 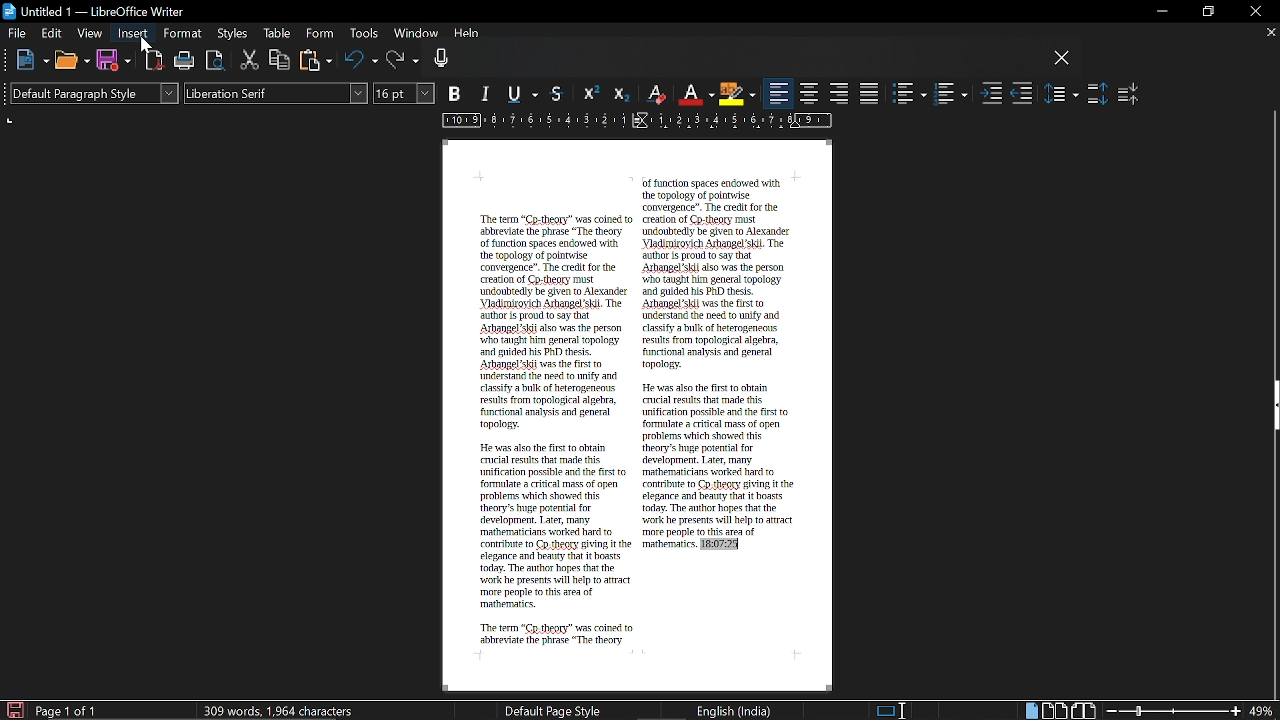 I want to click on page 1 of 1, so click(x=70, y=711).